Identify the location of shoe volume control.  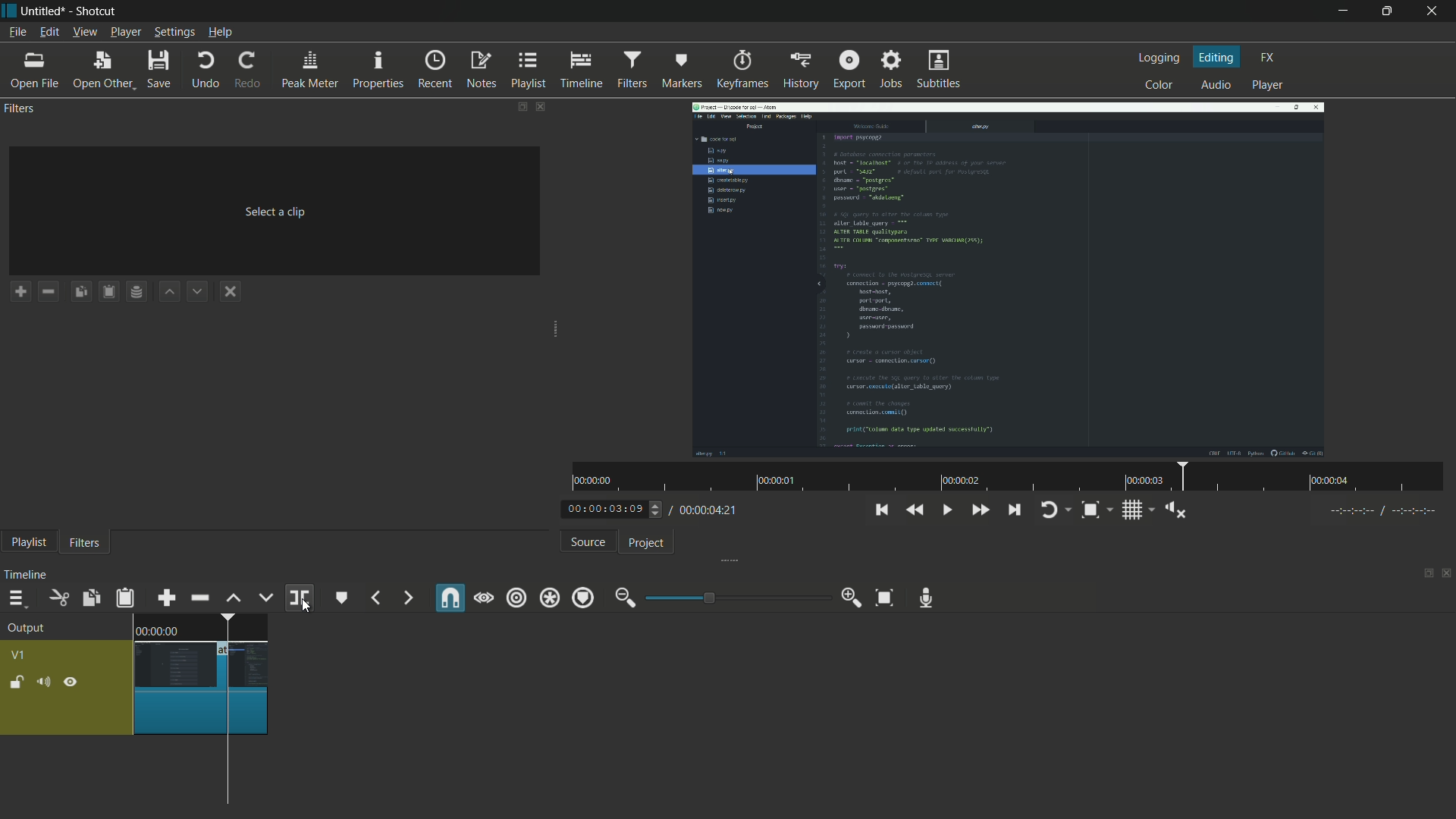
(1177, 510).